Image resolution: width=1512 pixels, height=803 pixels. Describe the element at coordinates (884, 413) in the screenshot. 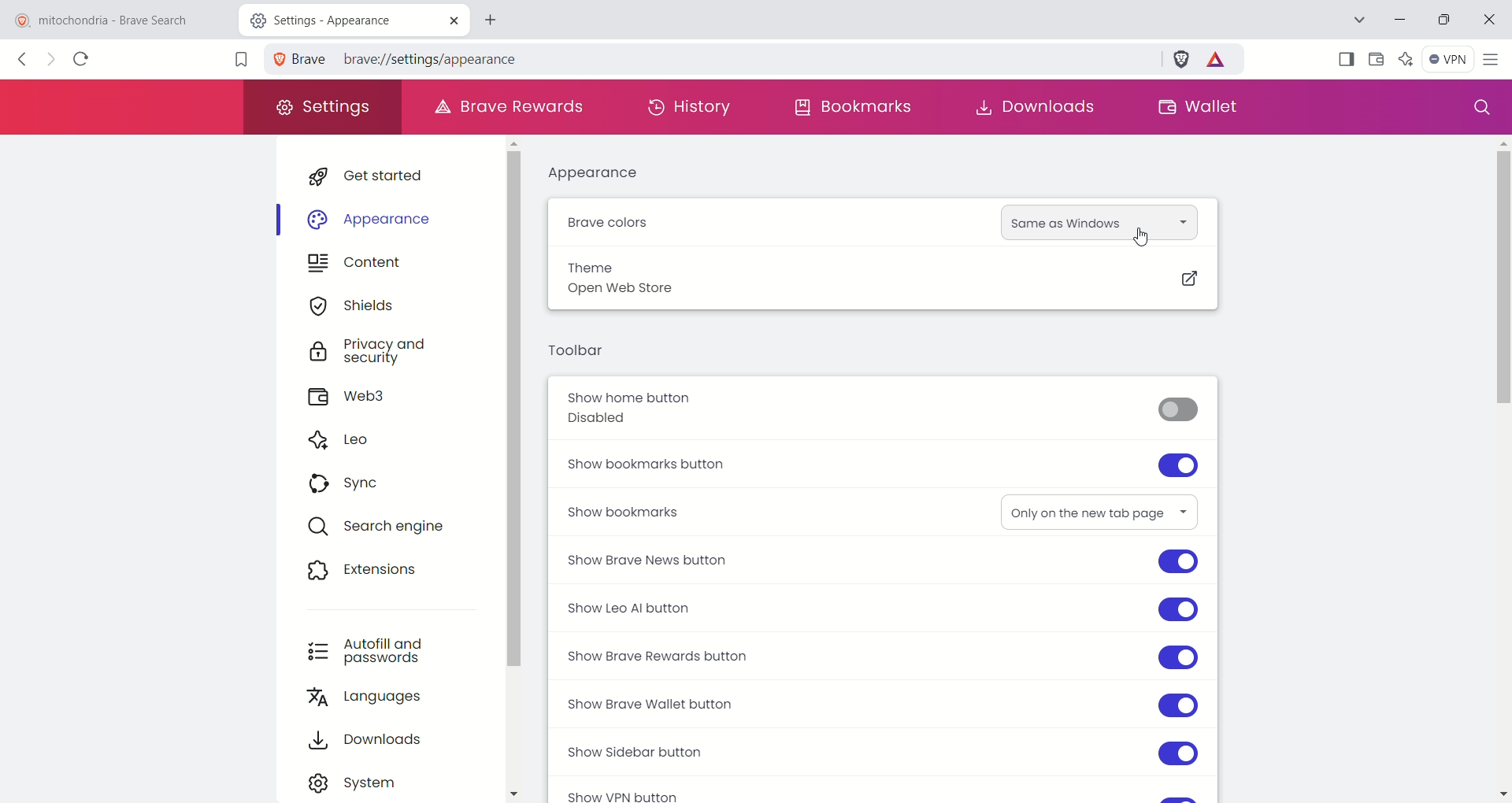

I see `show home button` at that location.